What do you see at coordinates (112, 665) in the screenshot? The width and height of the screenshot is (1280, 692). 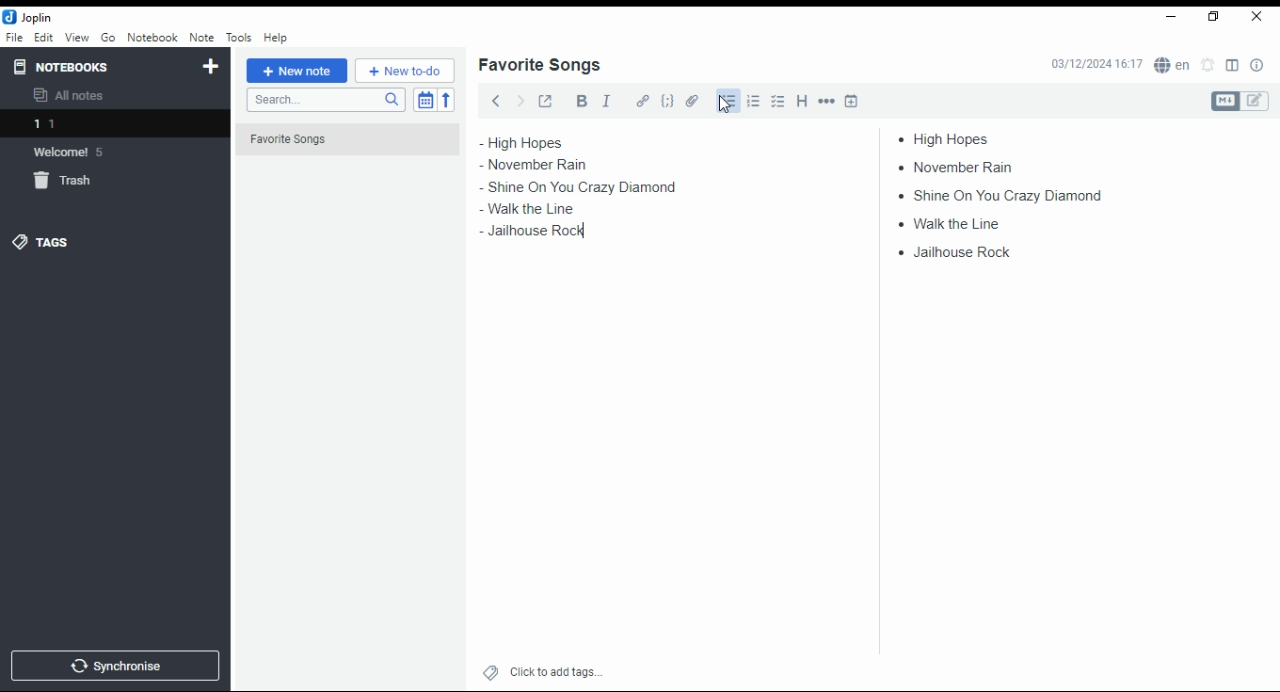 I see `synchronise` at bounding box center [112, 665].